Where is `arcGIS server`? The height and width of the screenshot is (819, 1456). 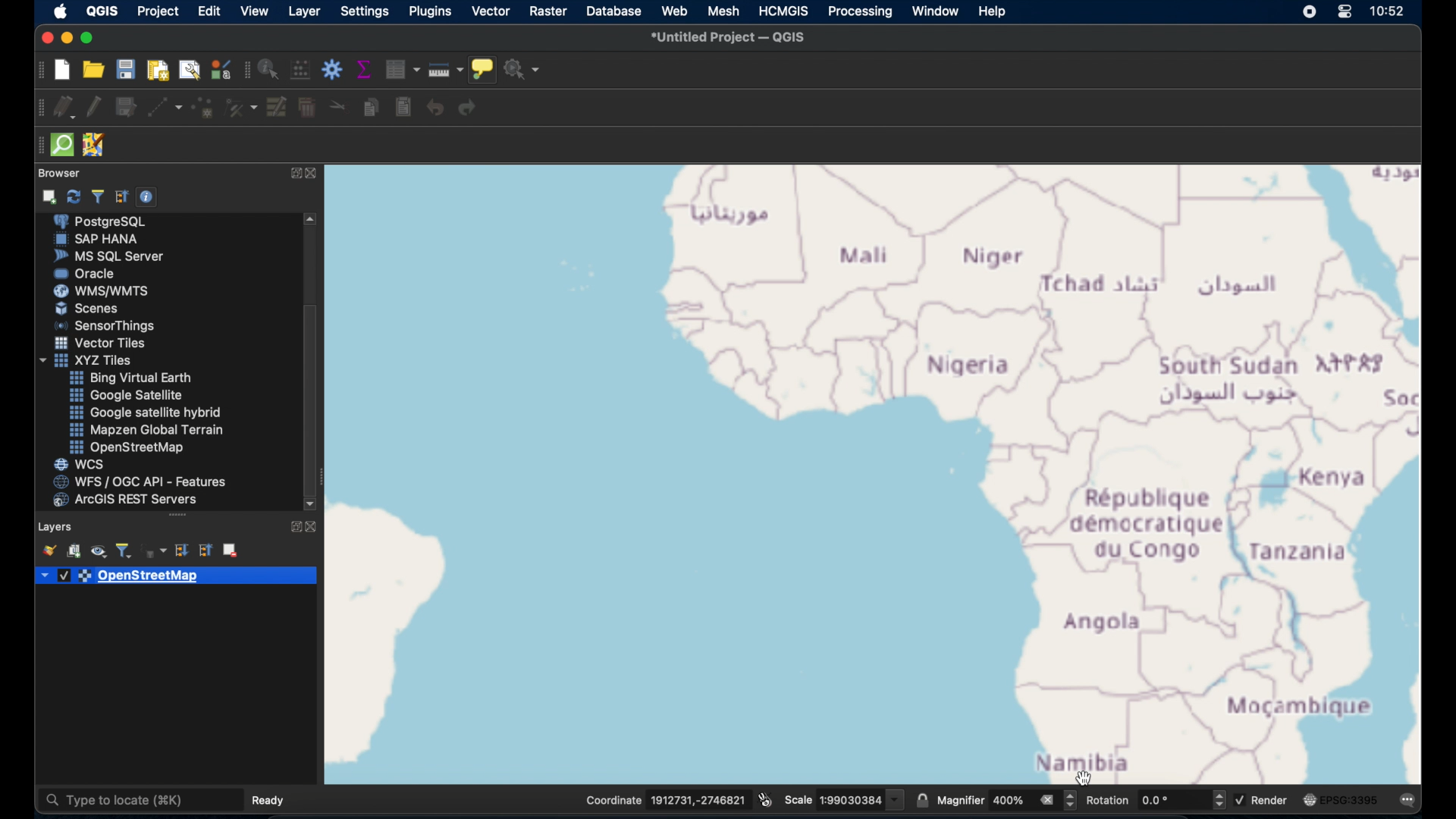 arcGIS server is located at coordinates (127, 500).